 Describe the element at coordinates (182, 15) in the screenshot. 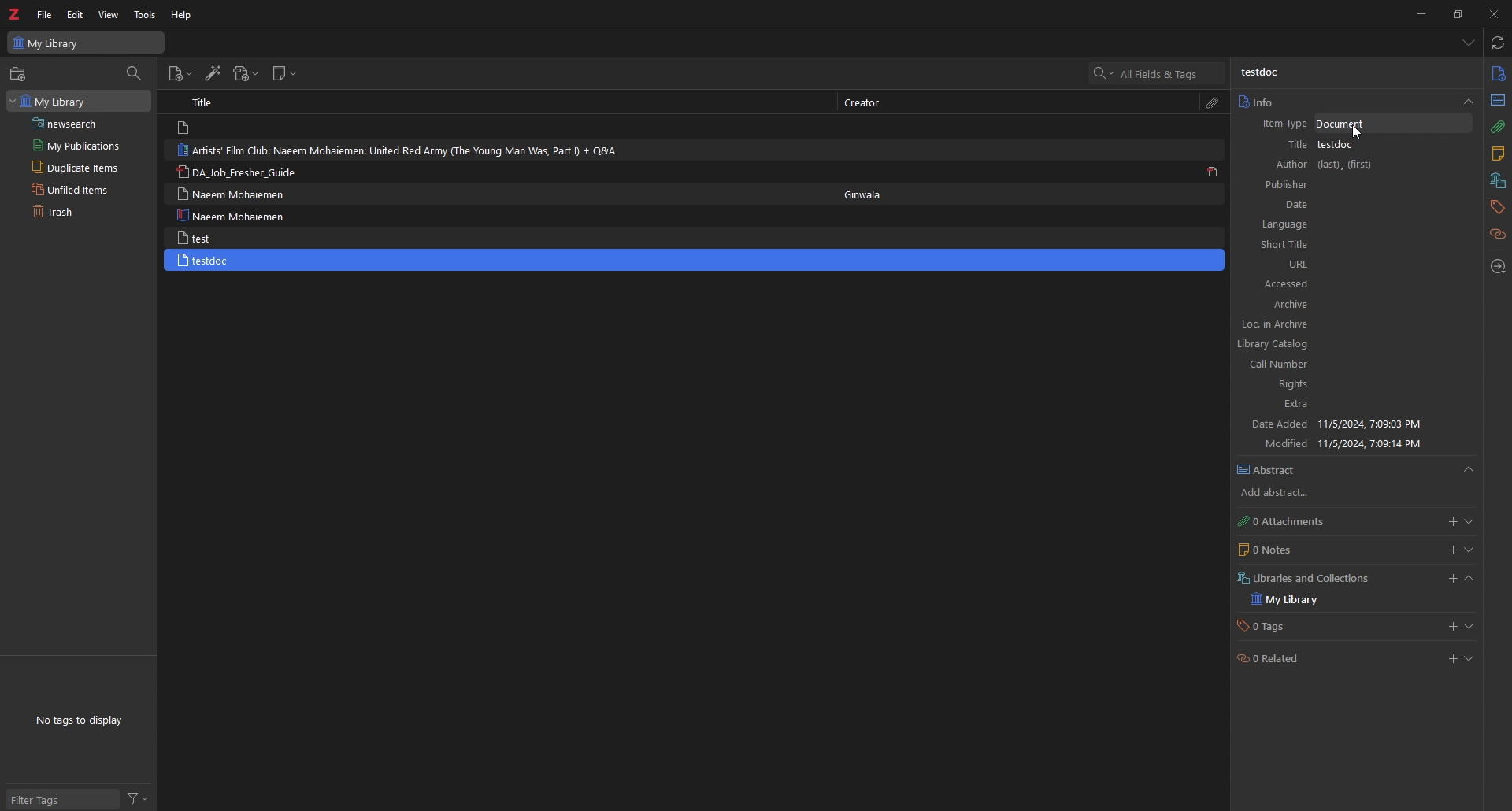

I see `help` at that location.